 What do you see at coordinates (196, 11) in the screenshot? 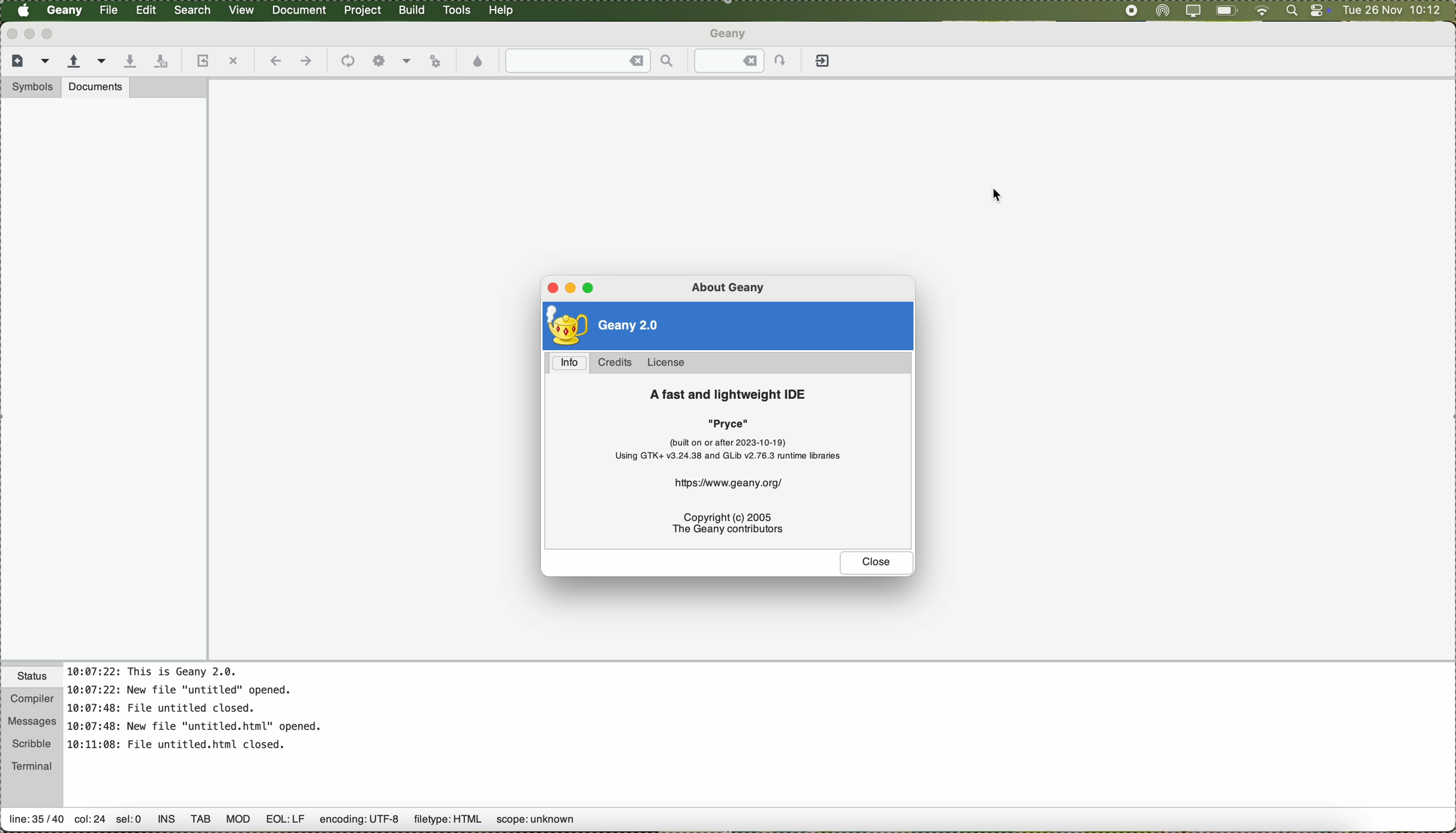
I see `search` at bounding box center [196, 11].